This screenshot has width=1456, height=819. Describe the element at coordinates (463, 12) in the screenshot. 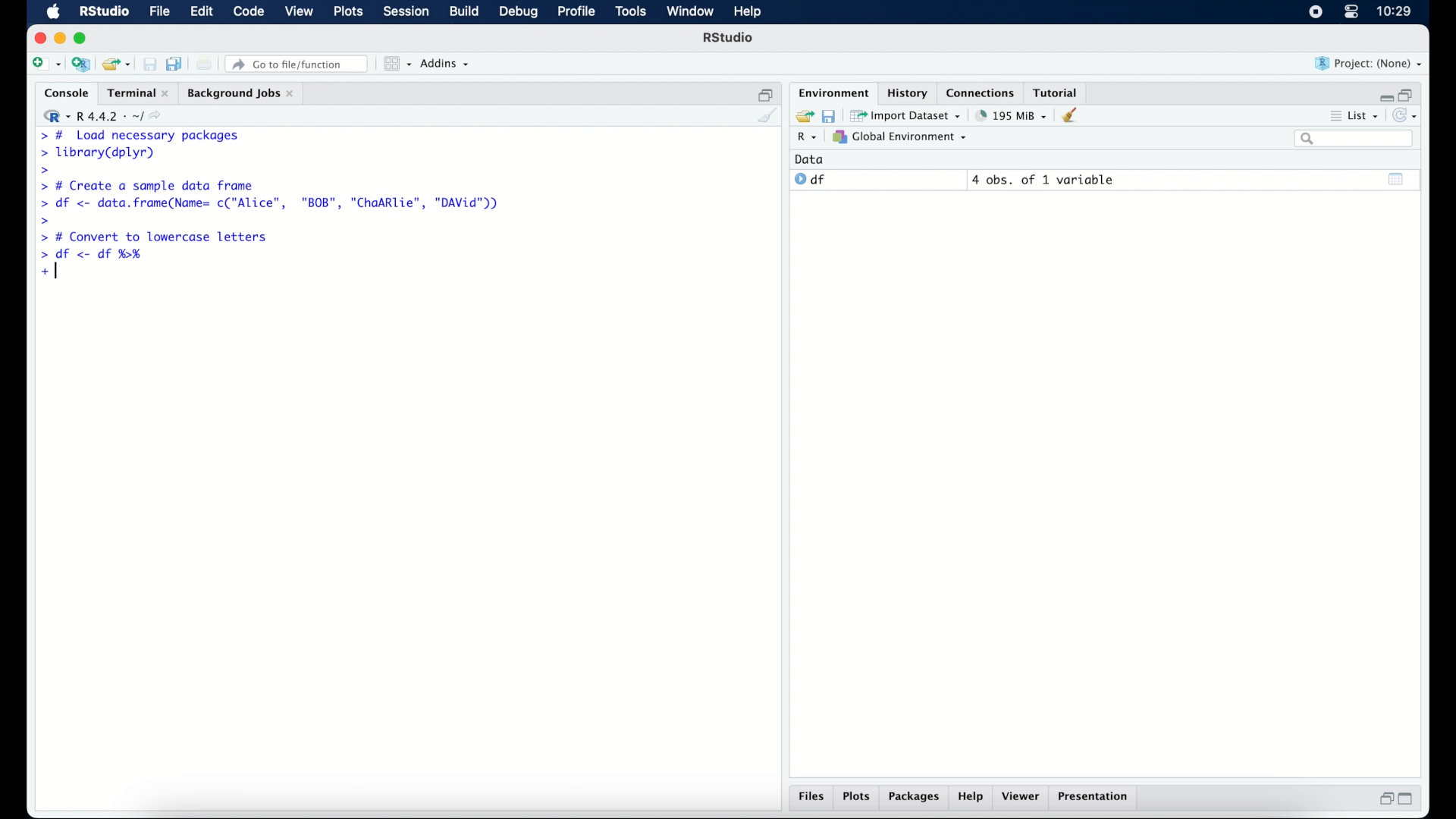

I see `build` at that location.